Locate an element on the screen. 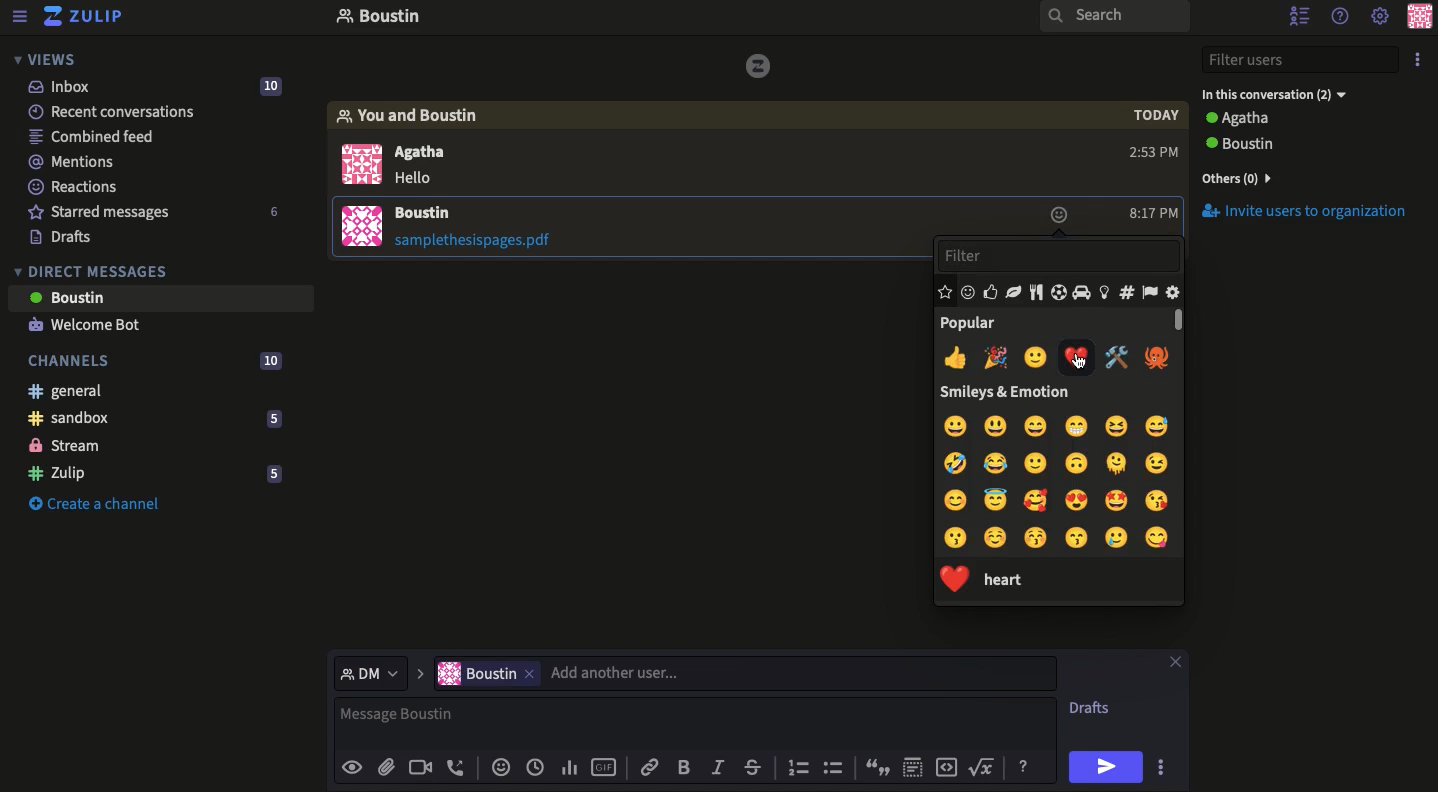 Image resolution: width=1438 pixels, height=792 pixels. smile is located at coordinates (1036, 358).